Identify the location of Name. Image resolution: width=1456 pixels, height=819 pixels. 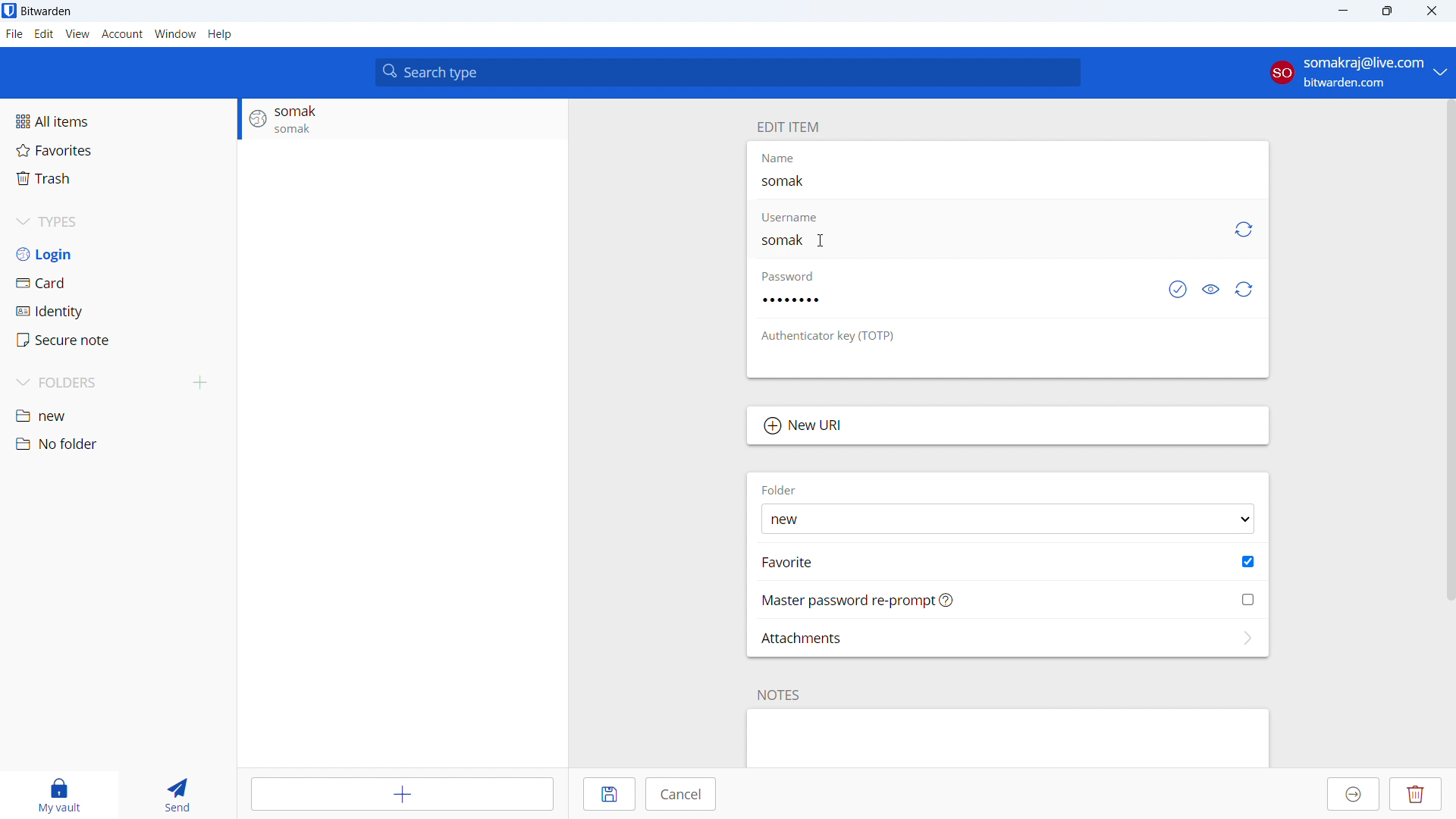
(785, 160).